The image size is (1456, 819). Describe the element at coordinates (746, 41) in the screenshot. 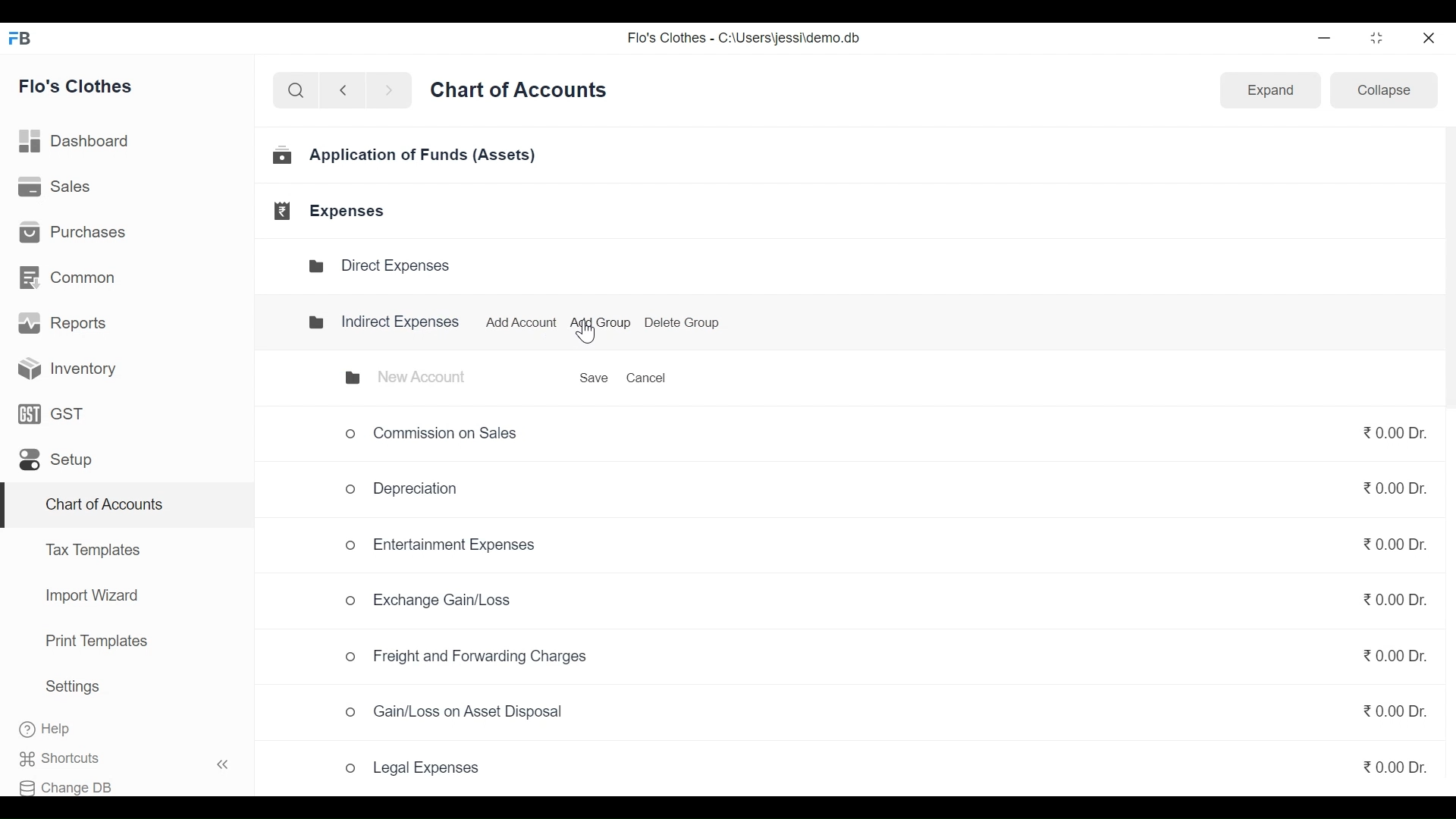

I see `Flo's Clothes - C:\Users\jessi\demo.db` at that location.